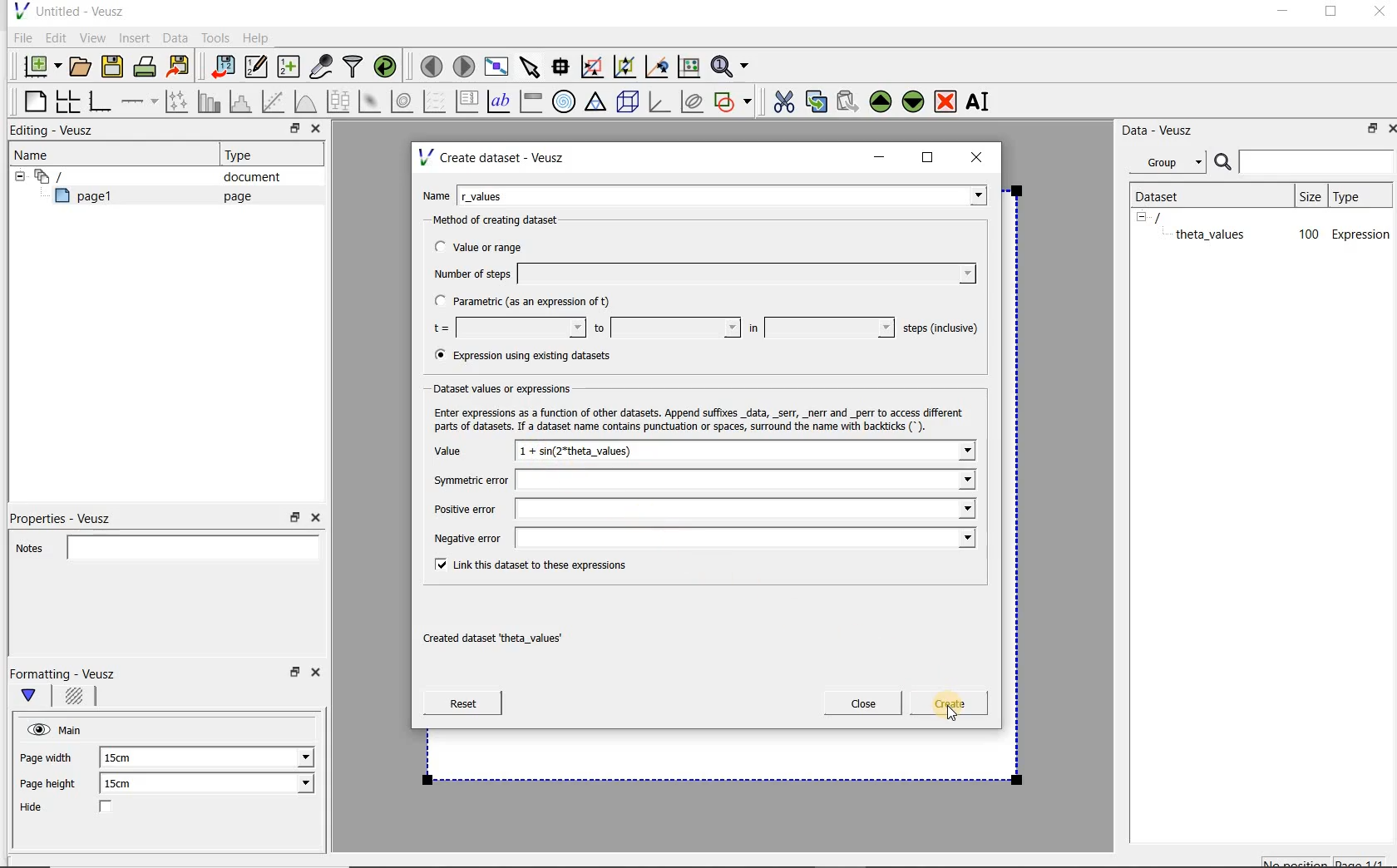  I want to click on move to the previous page, so click(432, 64).